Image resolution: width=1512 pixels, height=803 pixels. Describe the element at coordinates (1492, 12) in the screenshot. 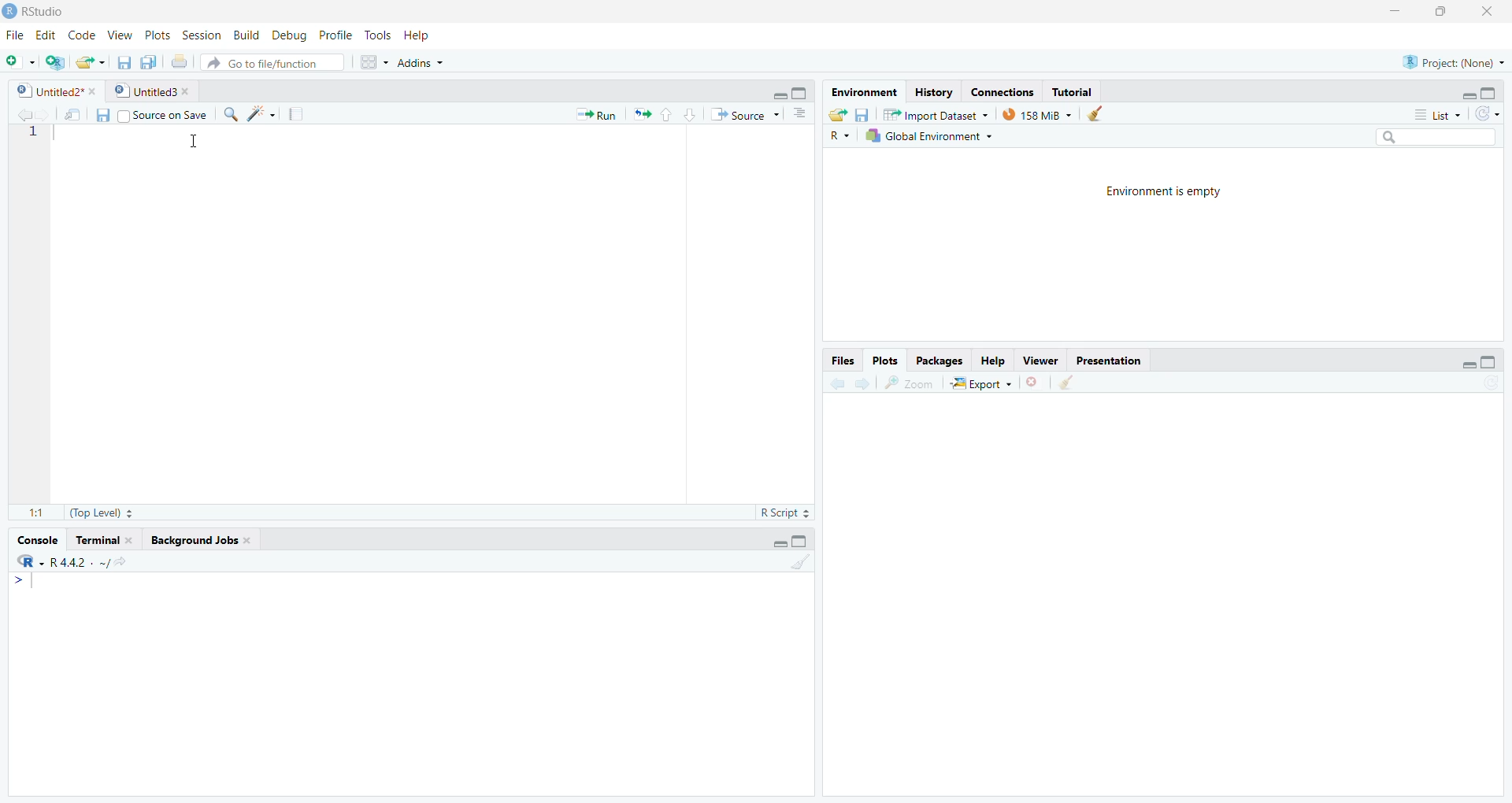

I see `close` at that location.